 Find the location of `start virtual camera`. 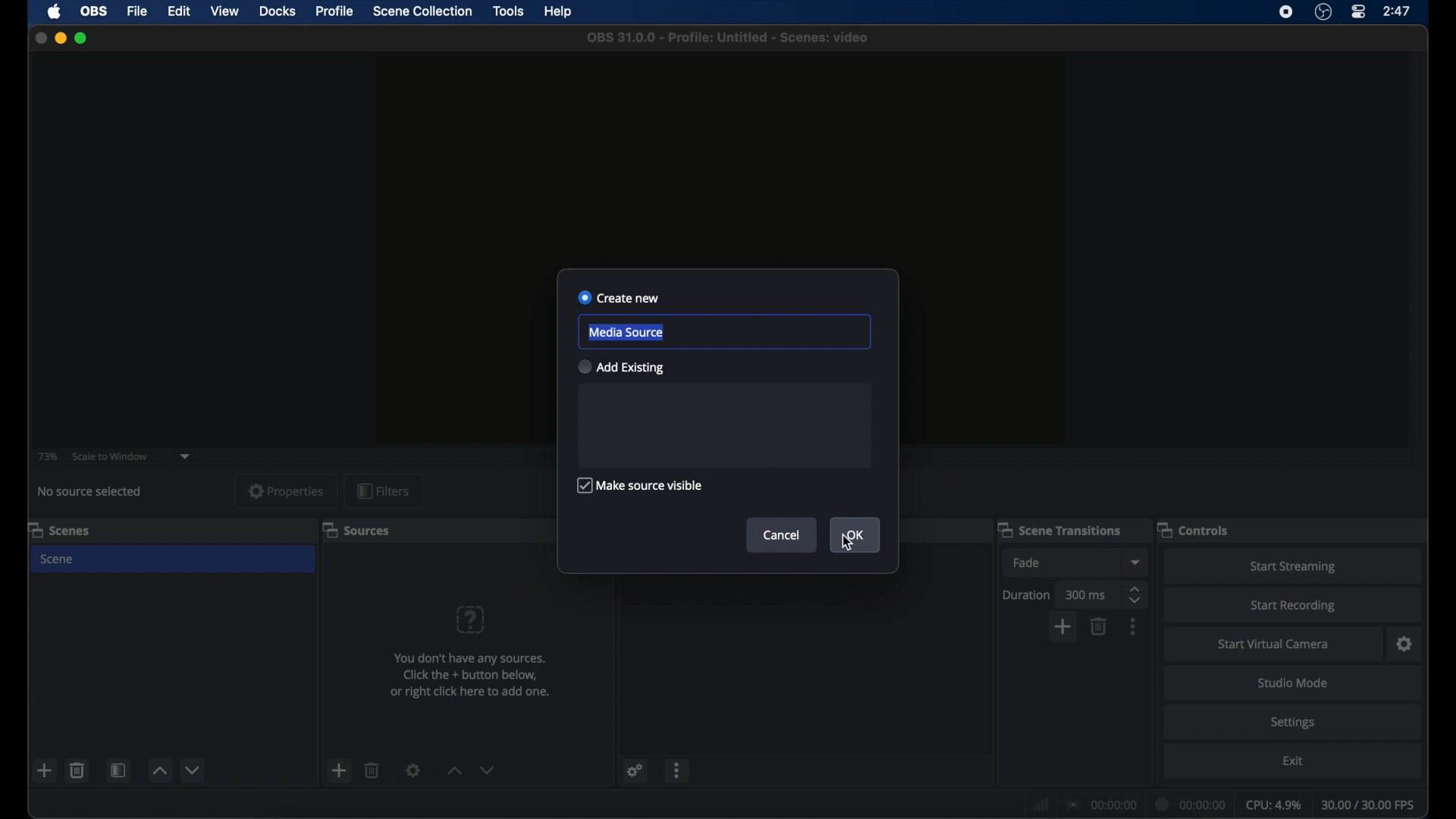

start virtual camera is located at coordinates (1274, 645).